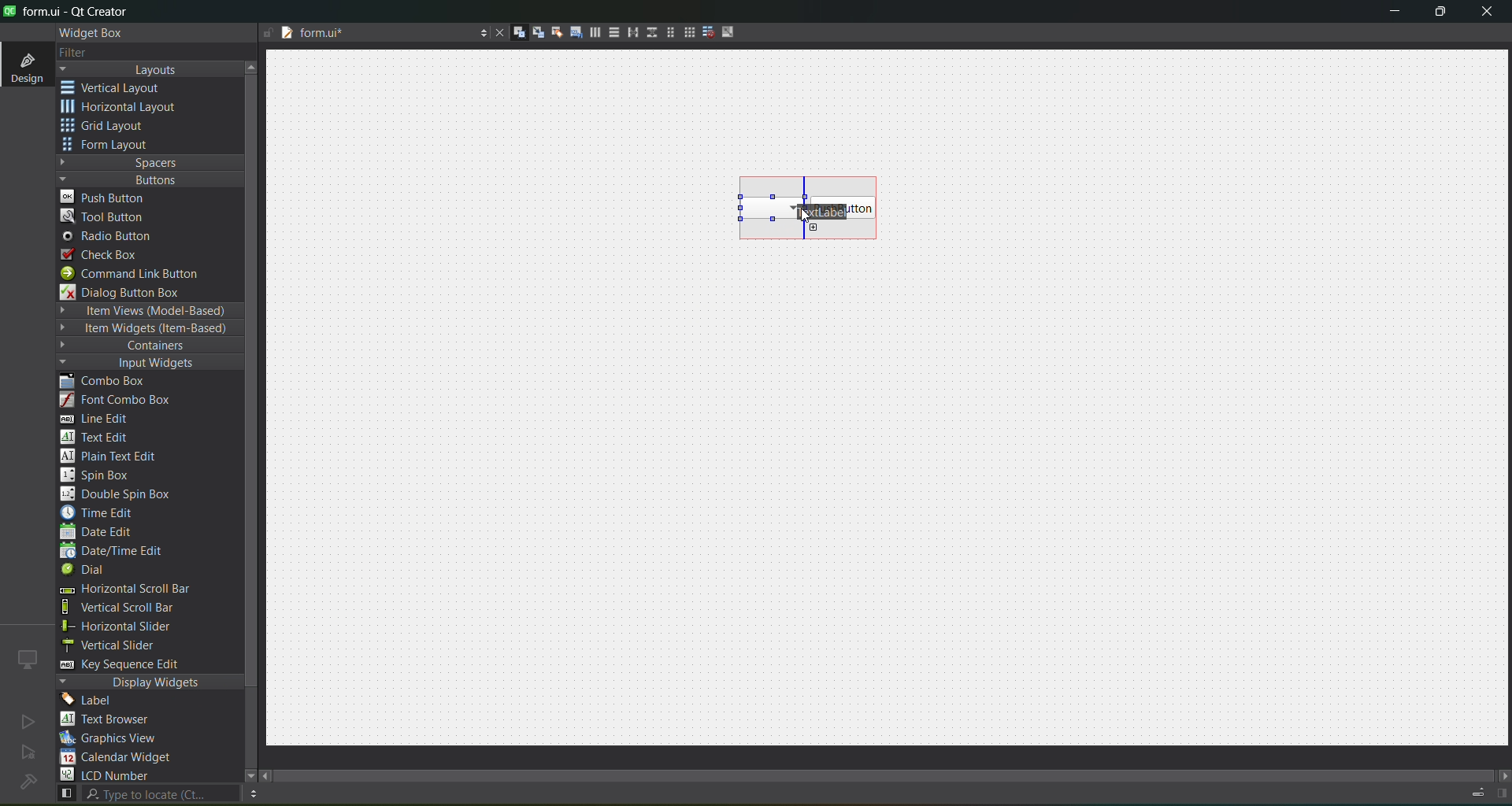 This screenshot has width=1512, height=806. I want to click on file is writable, so click(268, 34).